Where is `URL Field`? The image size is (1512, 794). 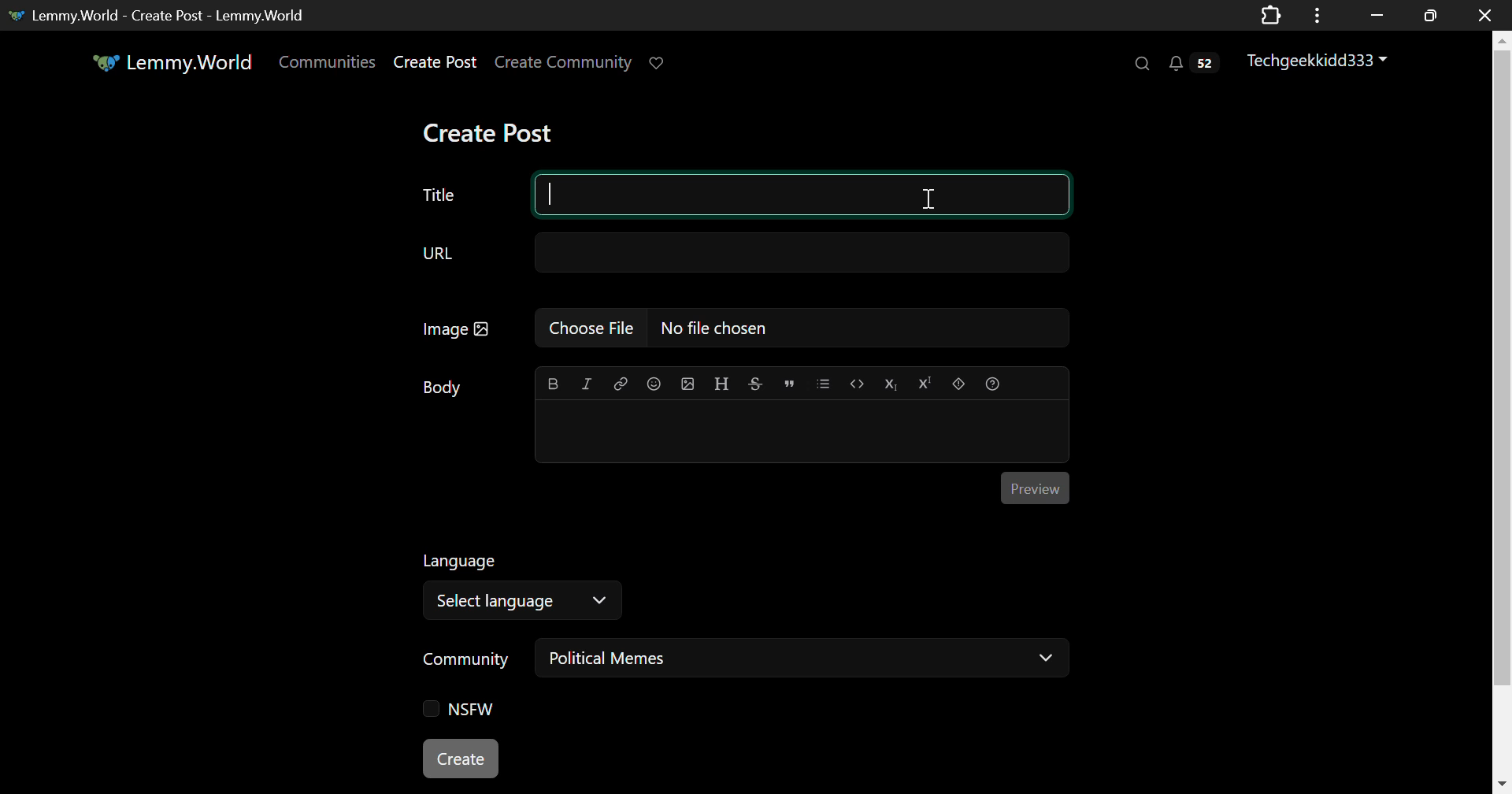
URL Field is located at coordinates (746, 252).